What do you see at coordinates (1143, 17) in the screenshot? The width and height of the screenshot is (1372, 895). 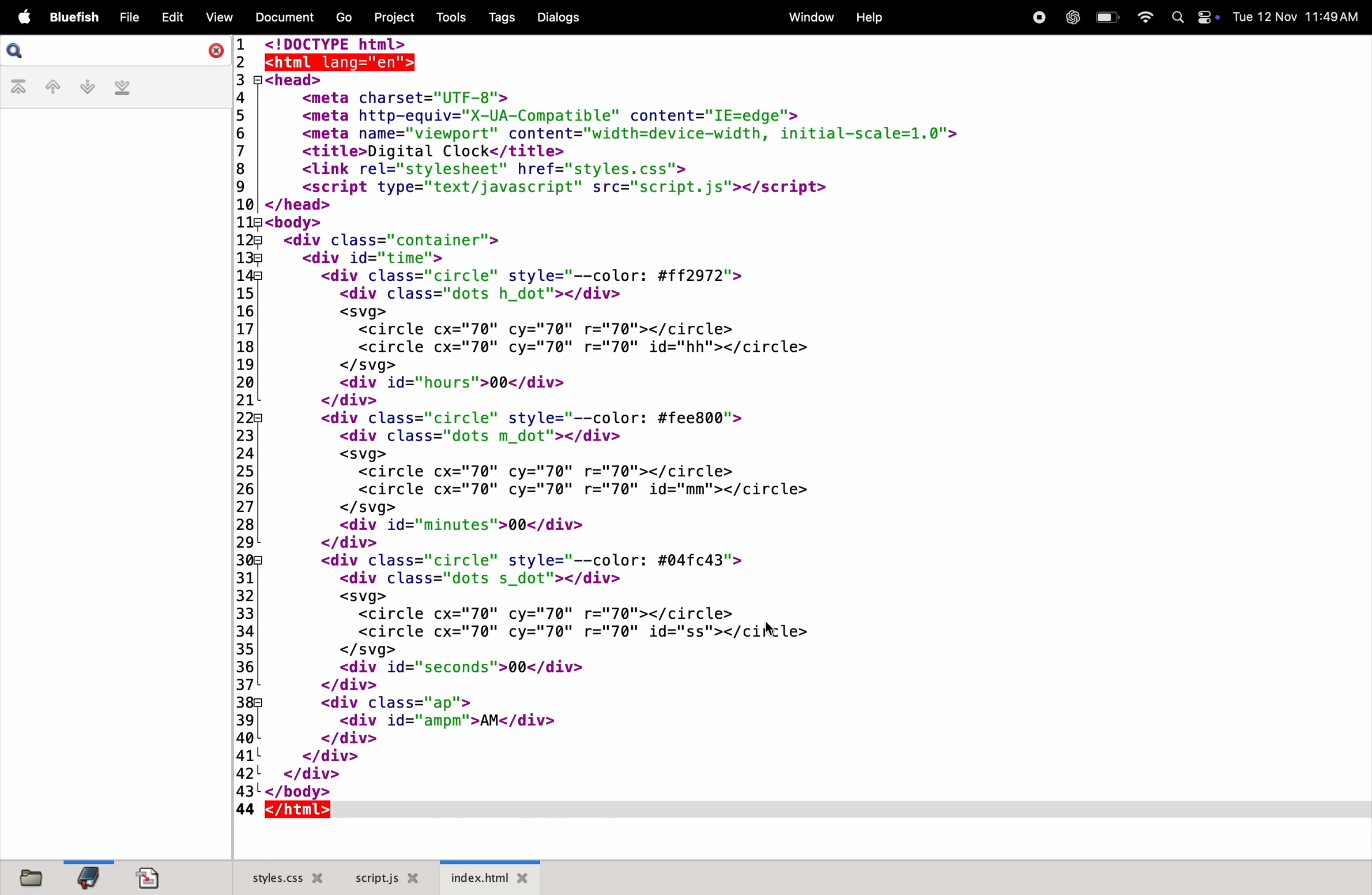 I see `wifi` at bounding box center [1143, 17].